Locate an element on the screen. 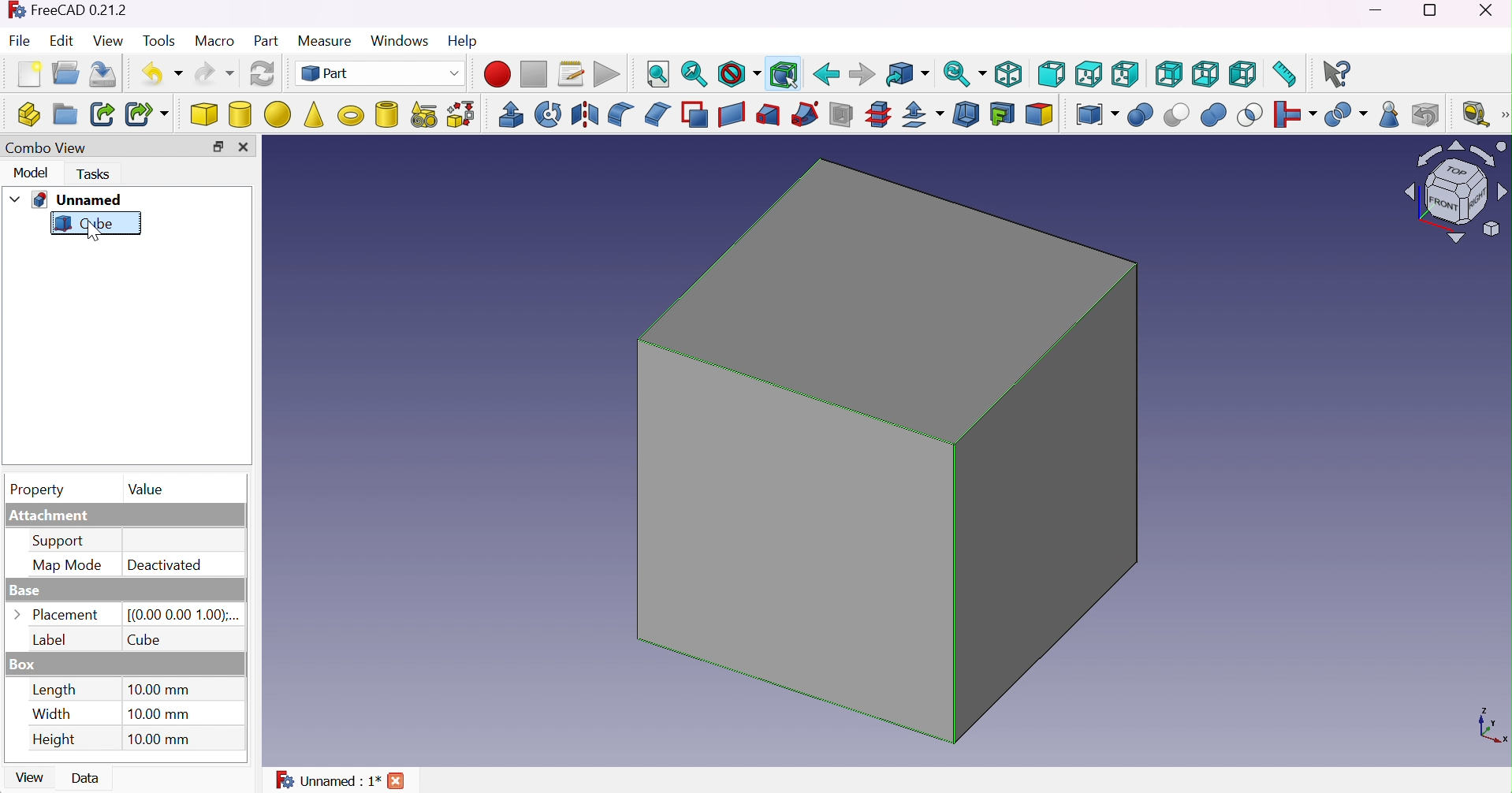 Image resolution: width=1512 pixels, height=793 pixels. Fit selection is located at coordinates (695, 74).